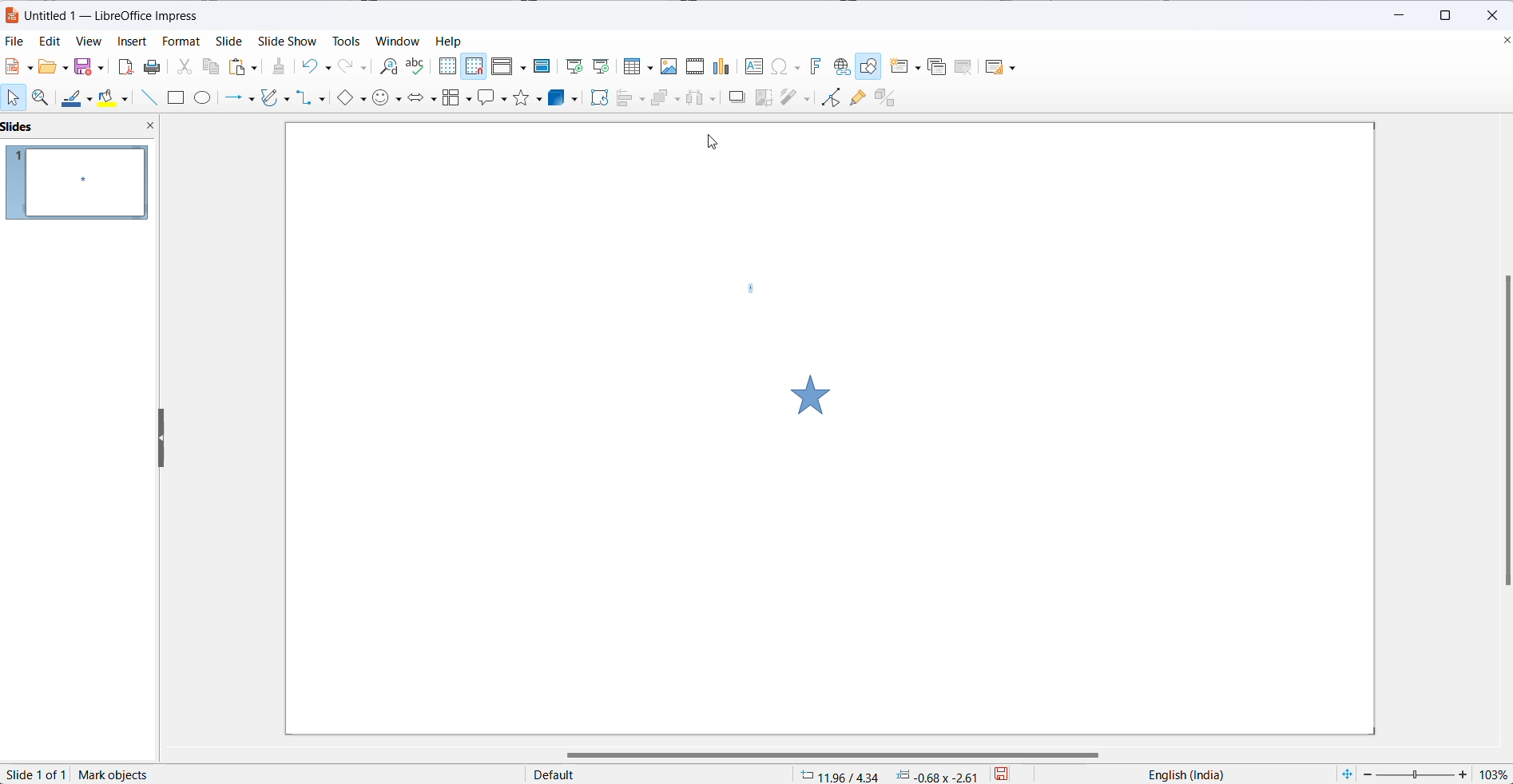 This screenshot has height=784, width=1513. What do you see at coordinates (89, 66) in the screenshot?
I see `save` at bounding box center [89, 66].